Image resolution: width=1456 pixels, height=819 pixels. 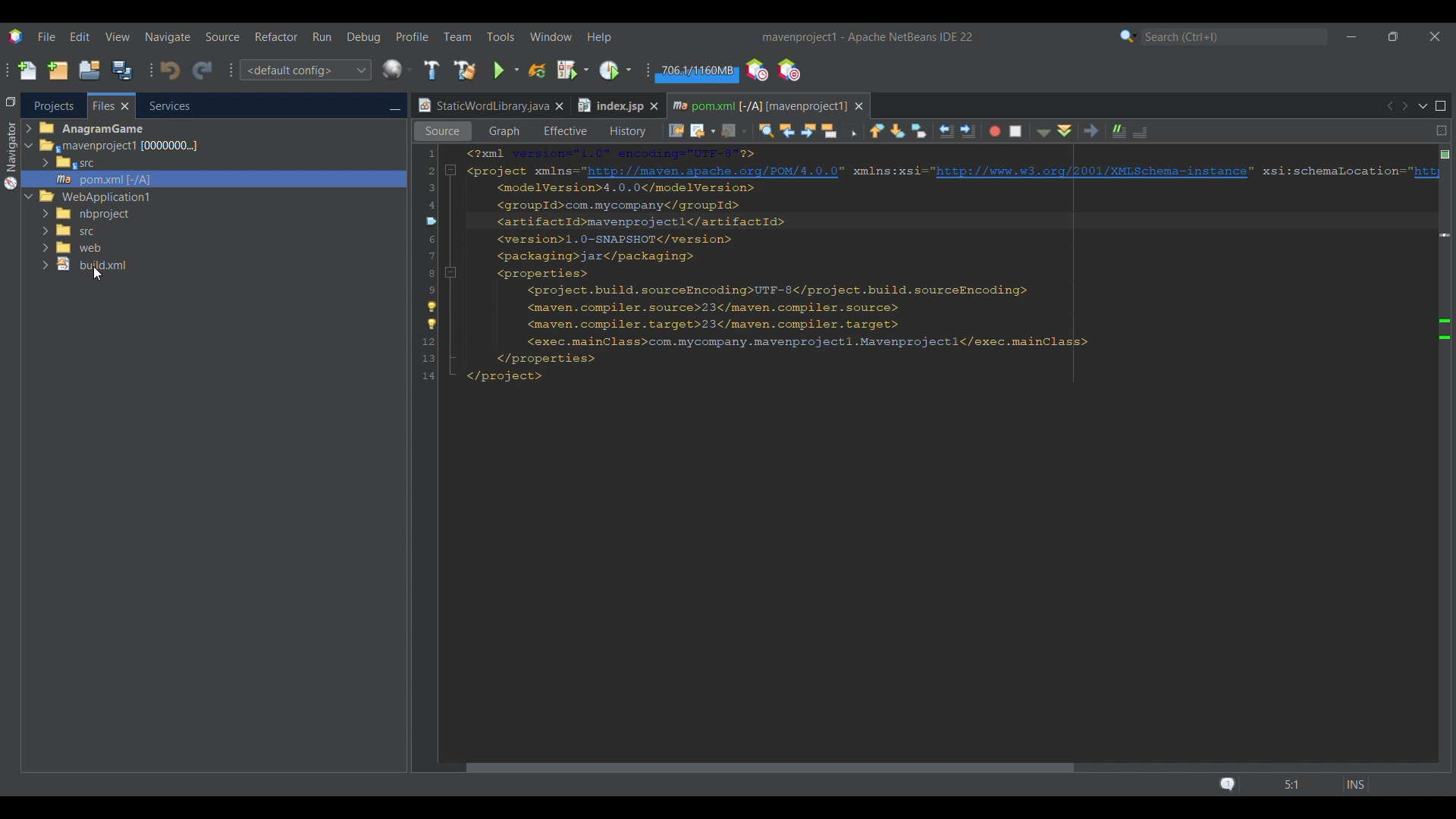 I want to click on Current tab highlighted, so click(x=482, y=106).